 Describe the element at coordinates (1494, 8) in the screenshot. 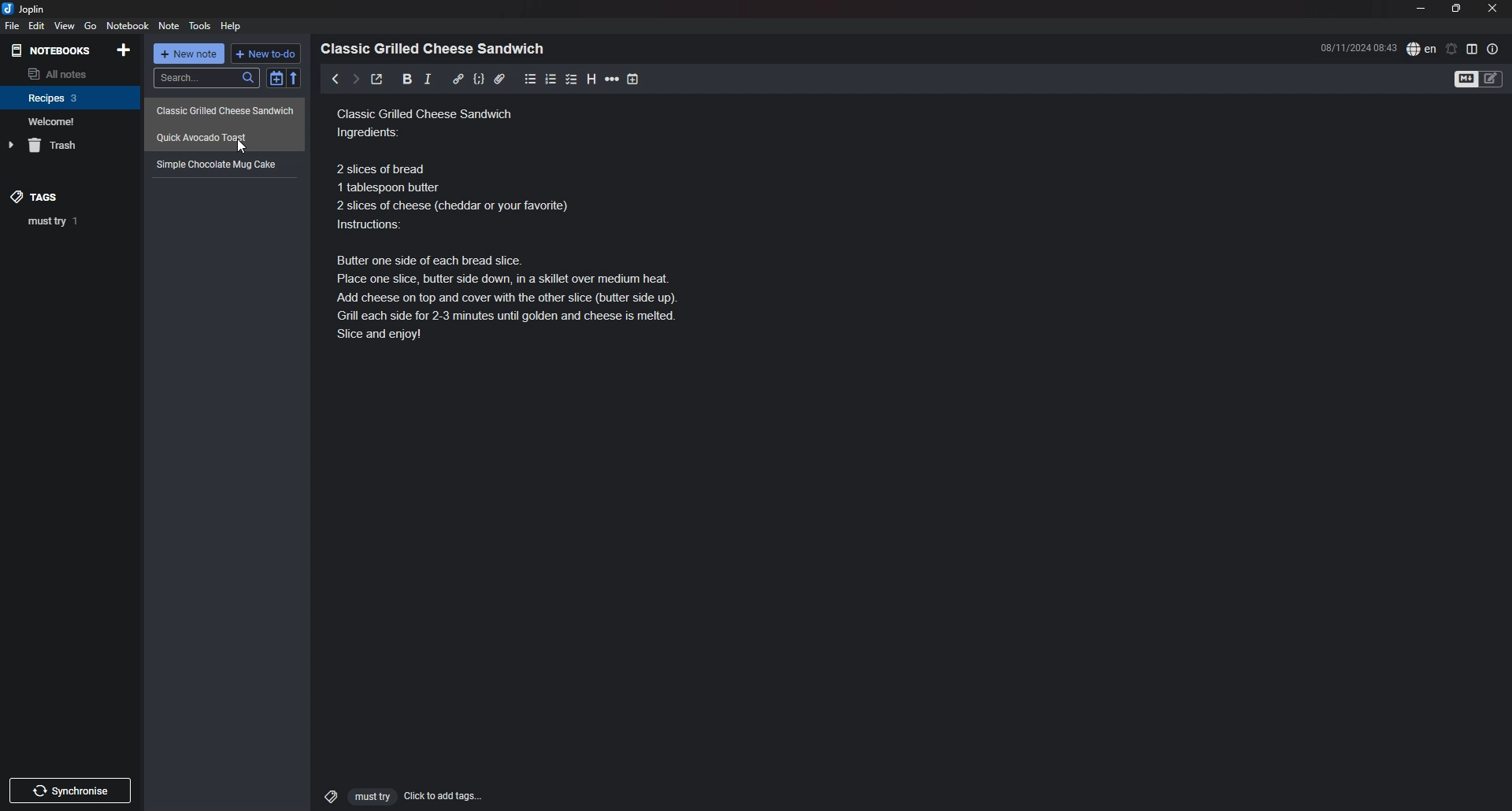

I see `close` at that location.